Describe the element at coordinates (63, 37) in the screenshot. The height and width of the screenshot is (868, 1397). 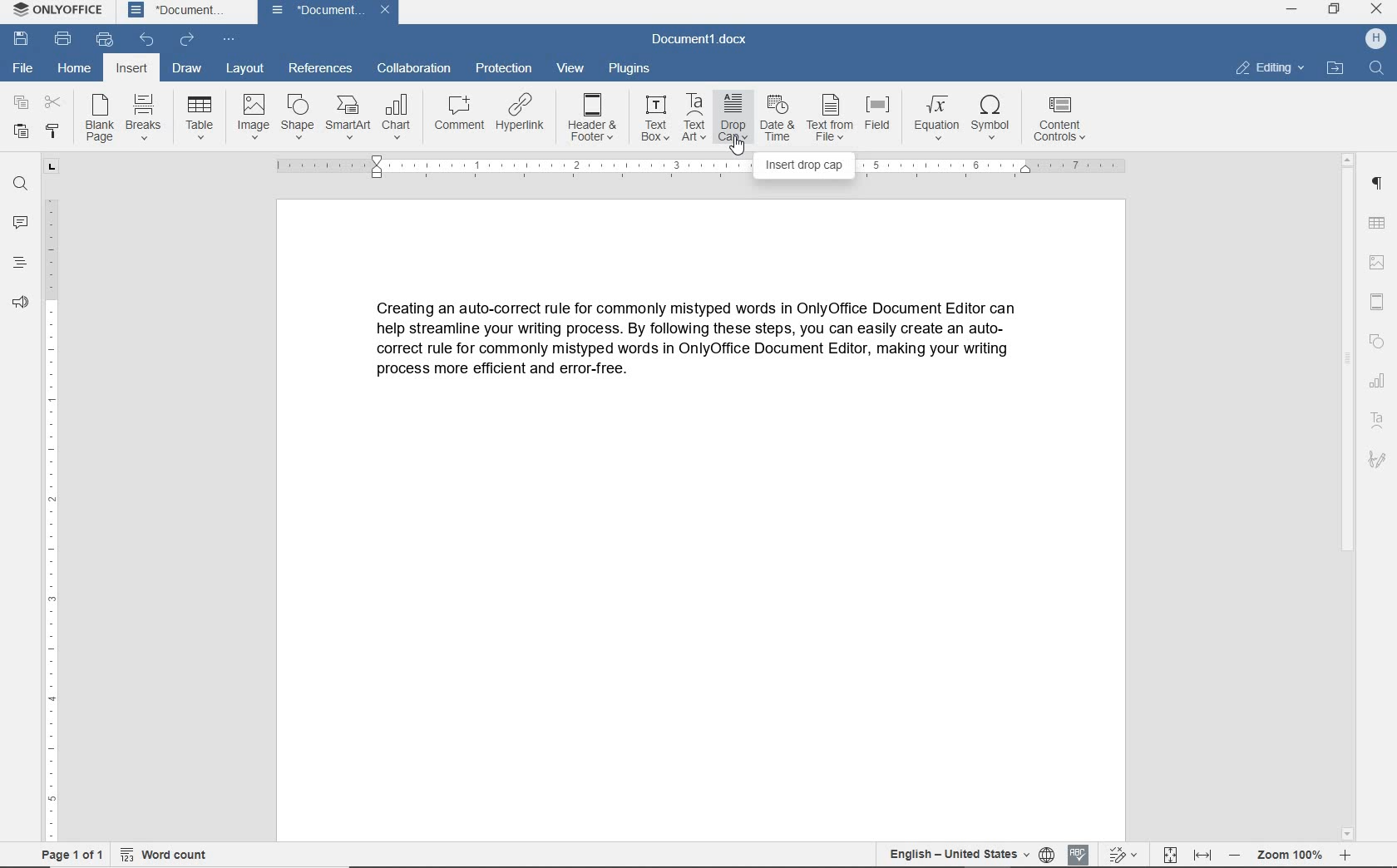
I see `print` at that location.